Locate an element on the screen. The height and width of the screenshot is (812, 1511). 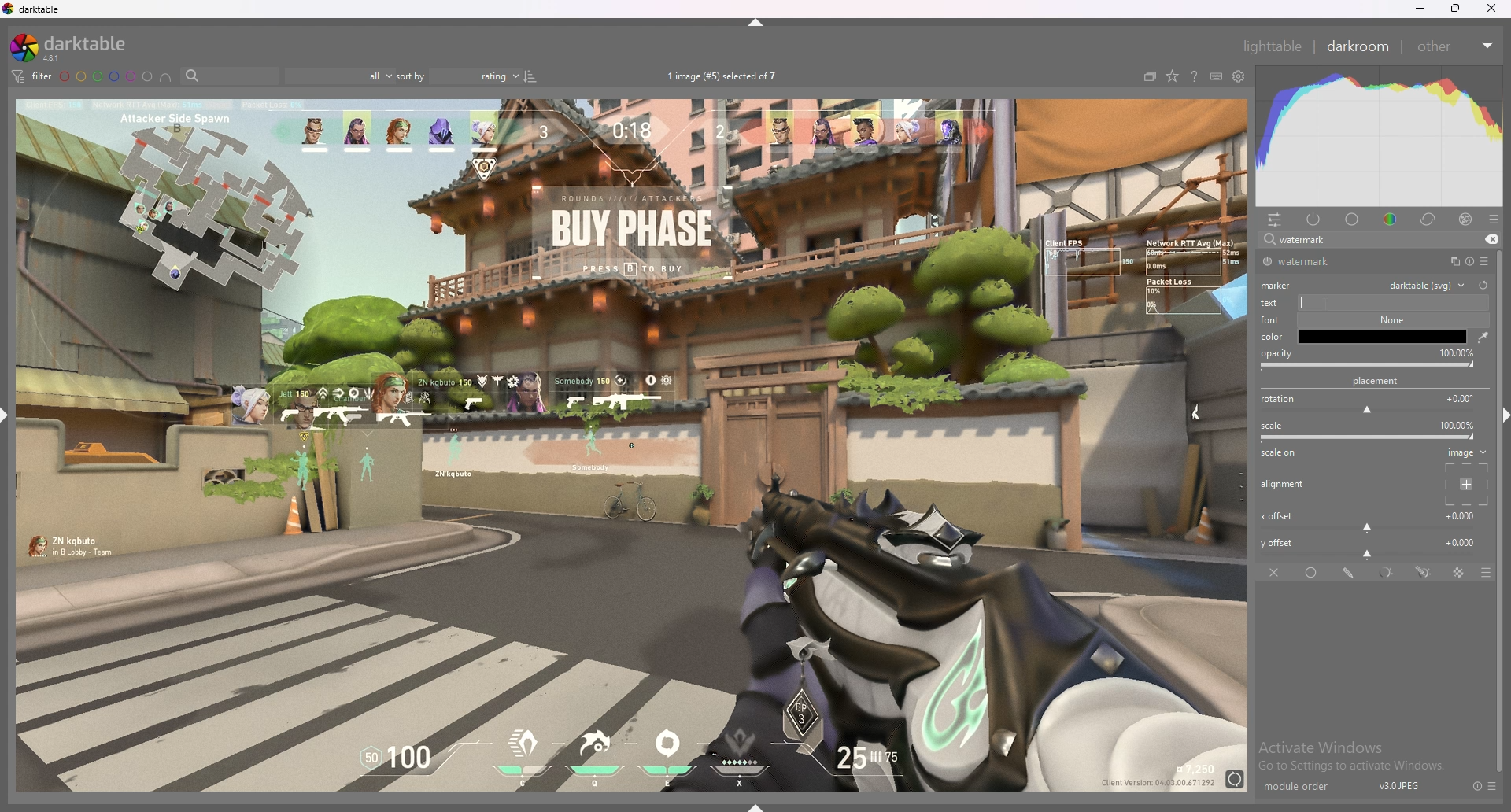
blending options is located at coordinates (1478, 573).